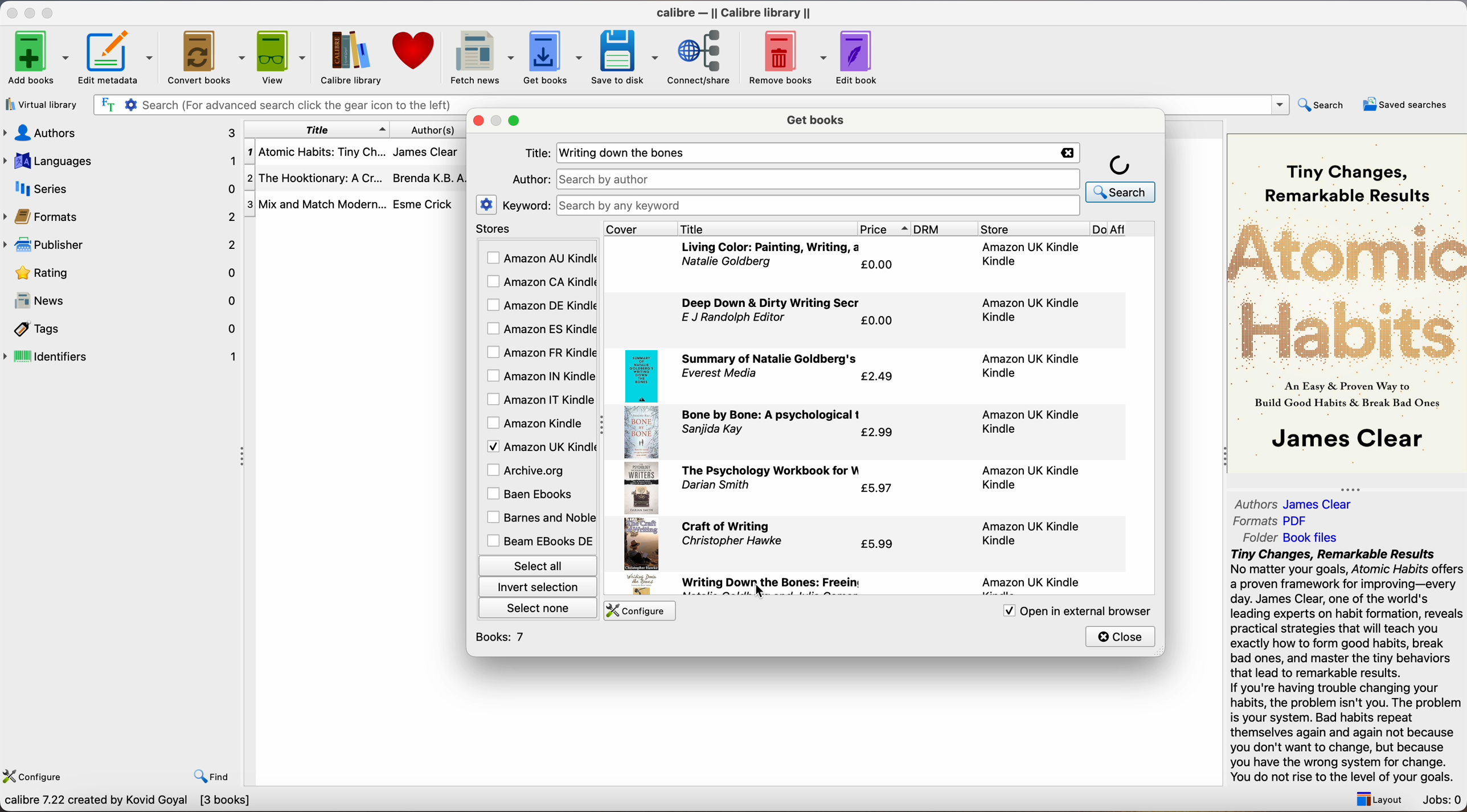  What do you see at coordinates (1026, 478) in the screenshot?
I see `amazon UK kindle` at bounding box center [1026, 478].